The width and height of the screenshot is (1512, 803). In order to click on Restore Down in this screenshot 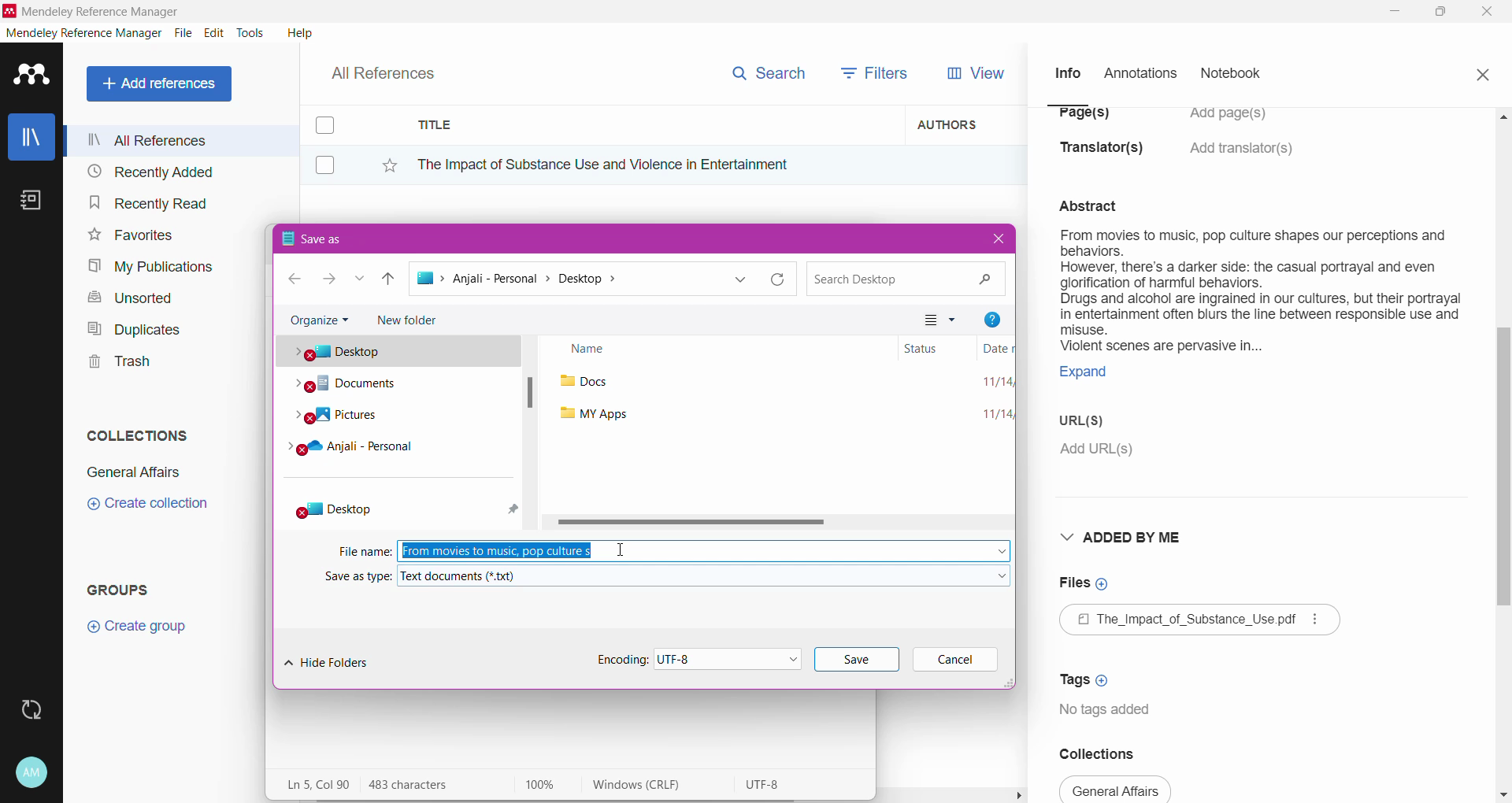, I will do `click(1442, 13)`.